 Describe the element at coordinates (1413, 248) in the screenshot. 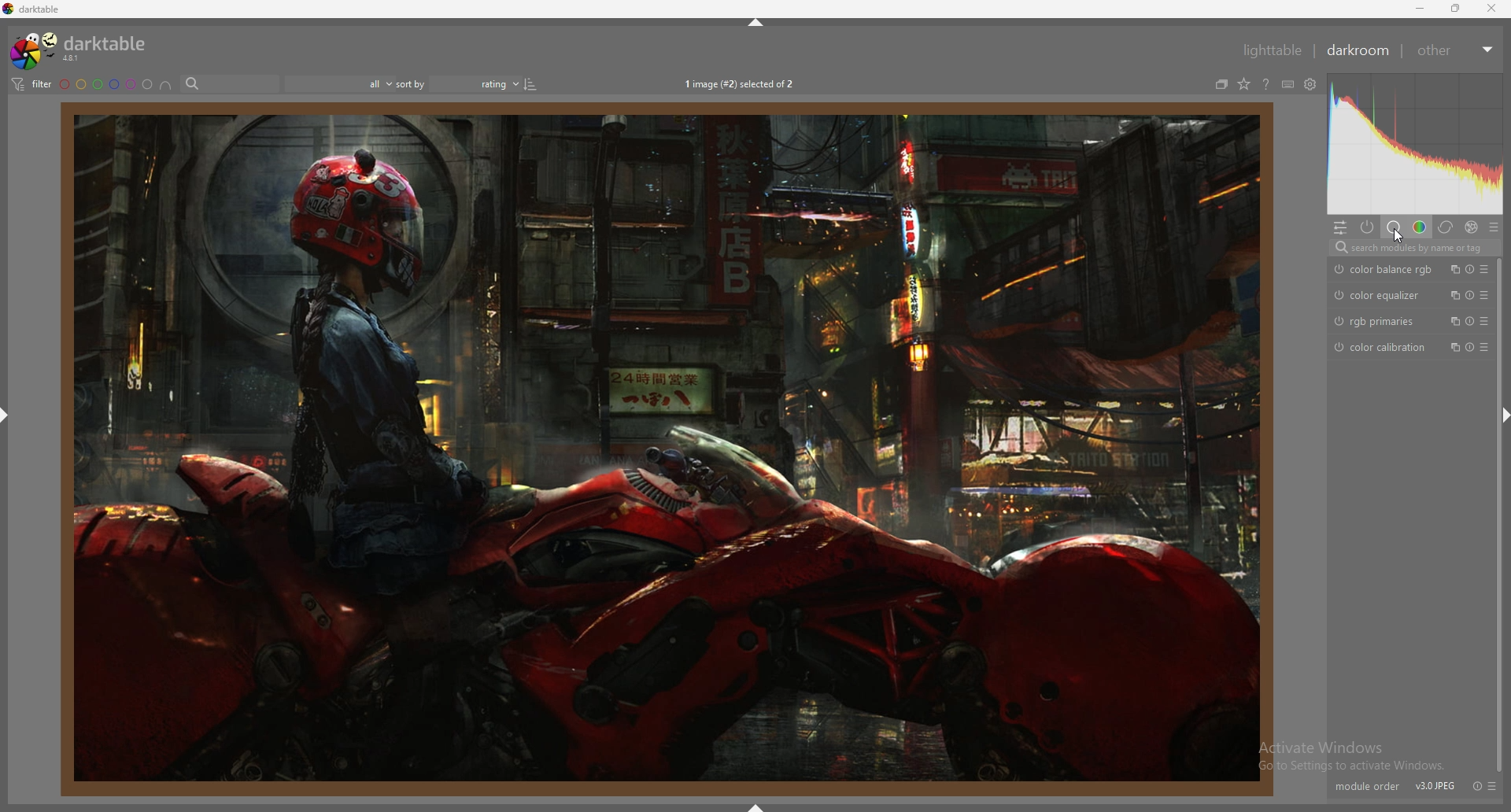

I see `search modules` at that location.